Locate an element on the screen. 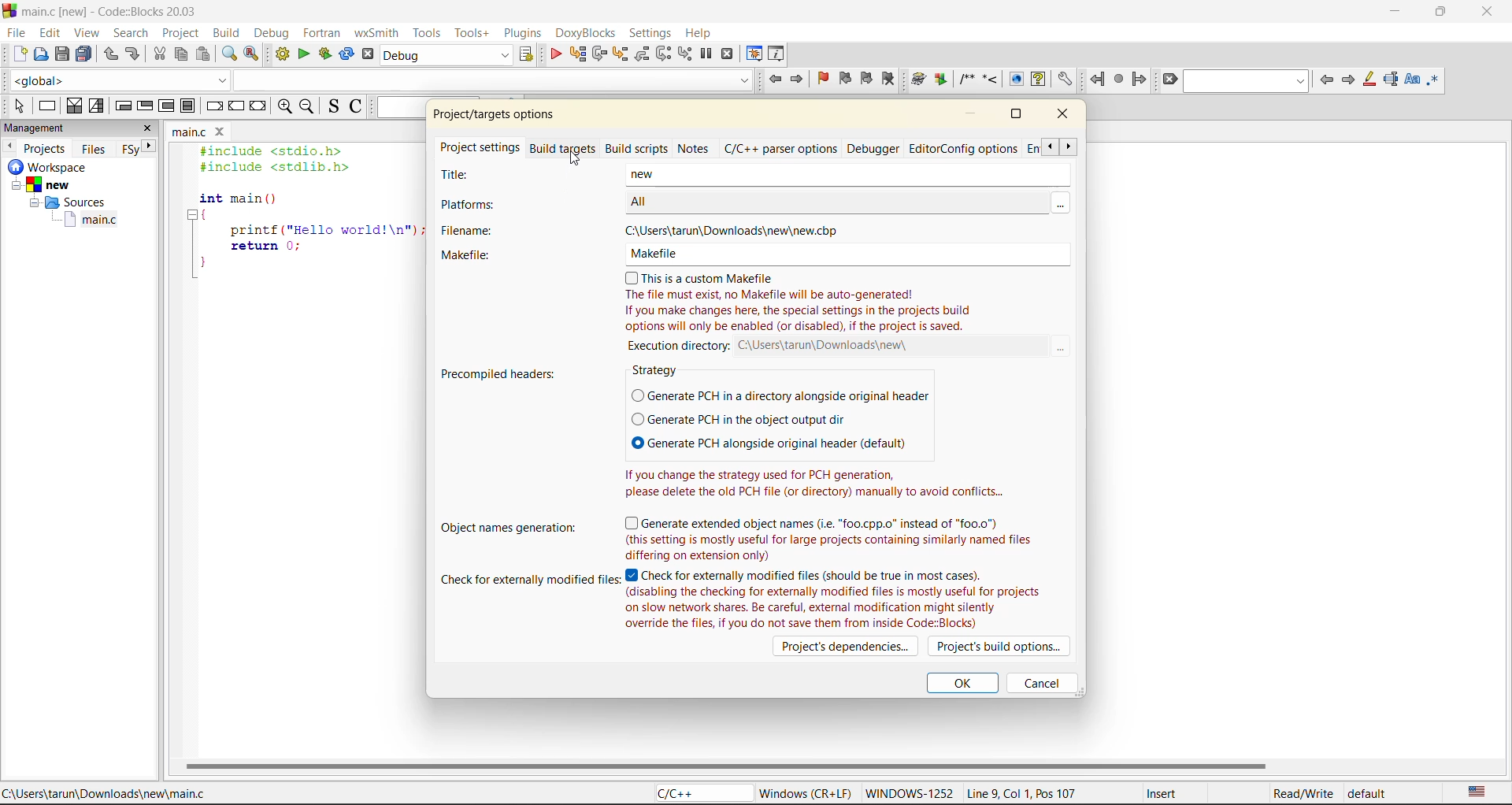  tools is located at coordinates (426, 34).